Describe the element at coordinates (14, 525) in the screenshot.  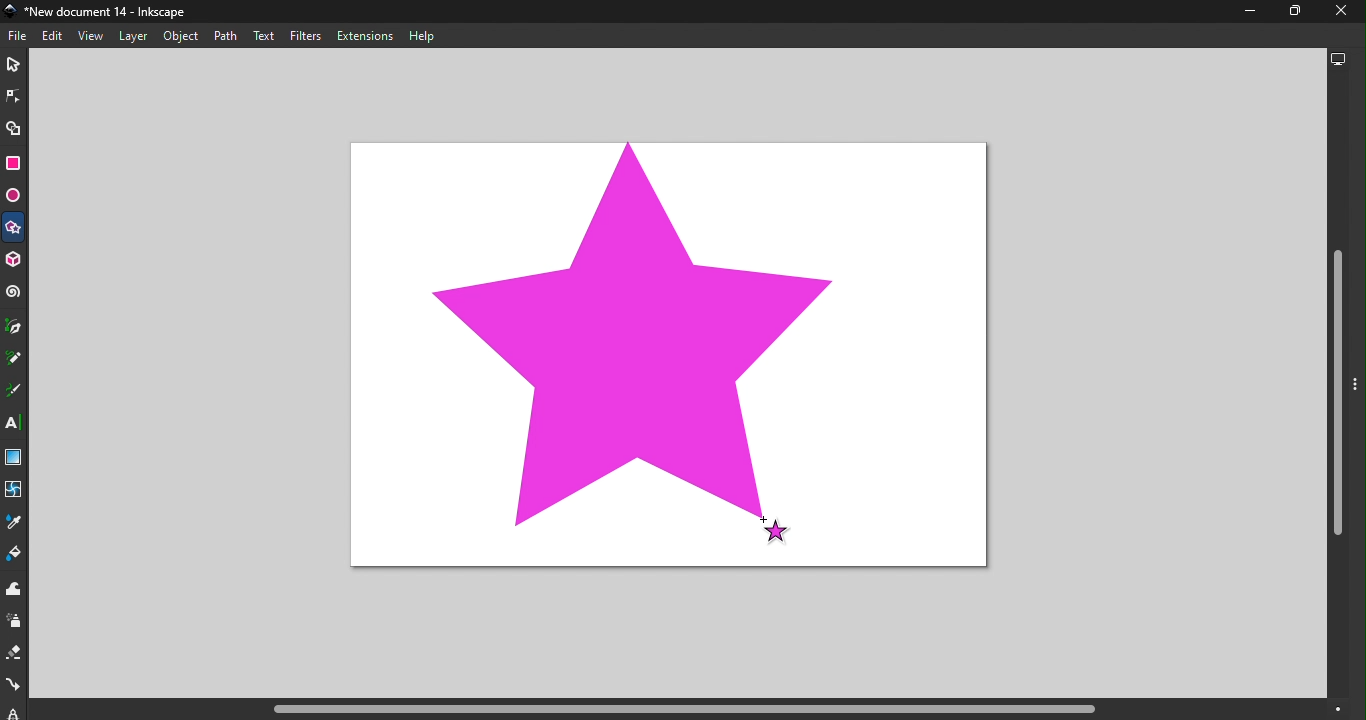
I see `Dropper tool` at that location.